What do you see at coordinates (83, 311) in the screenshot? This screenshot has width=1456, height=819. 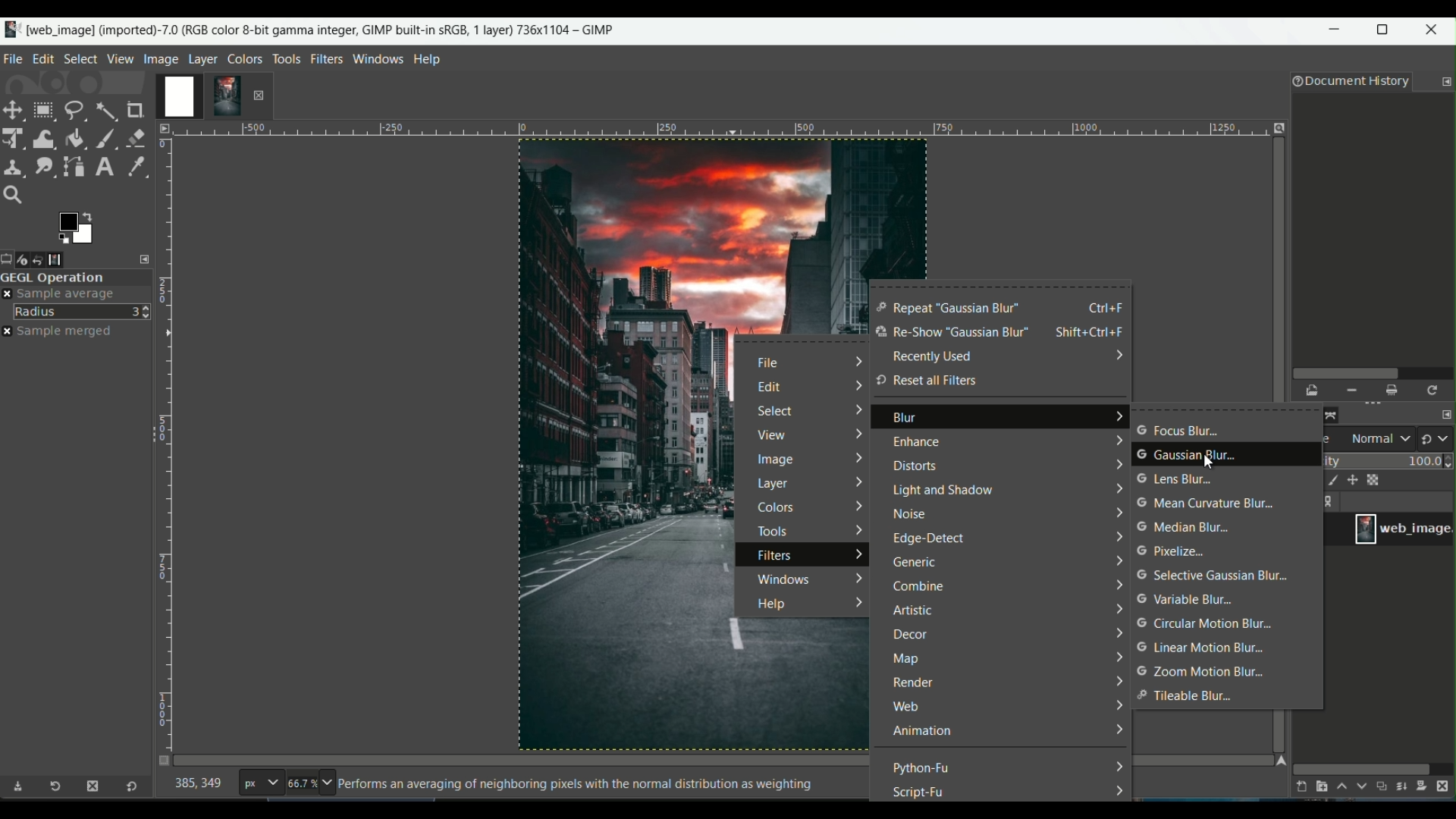 I see `color picker average radius` at bounding box center [83, 311].